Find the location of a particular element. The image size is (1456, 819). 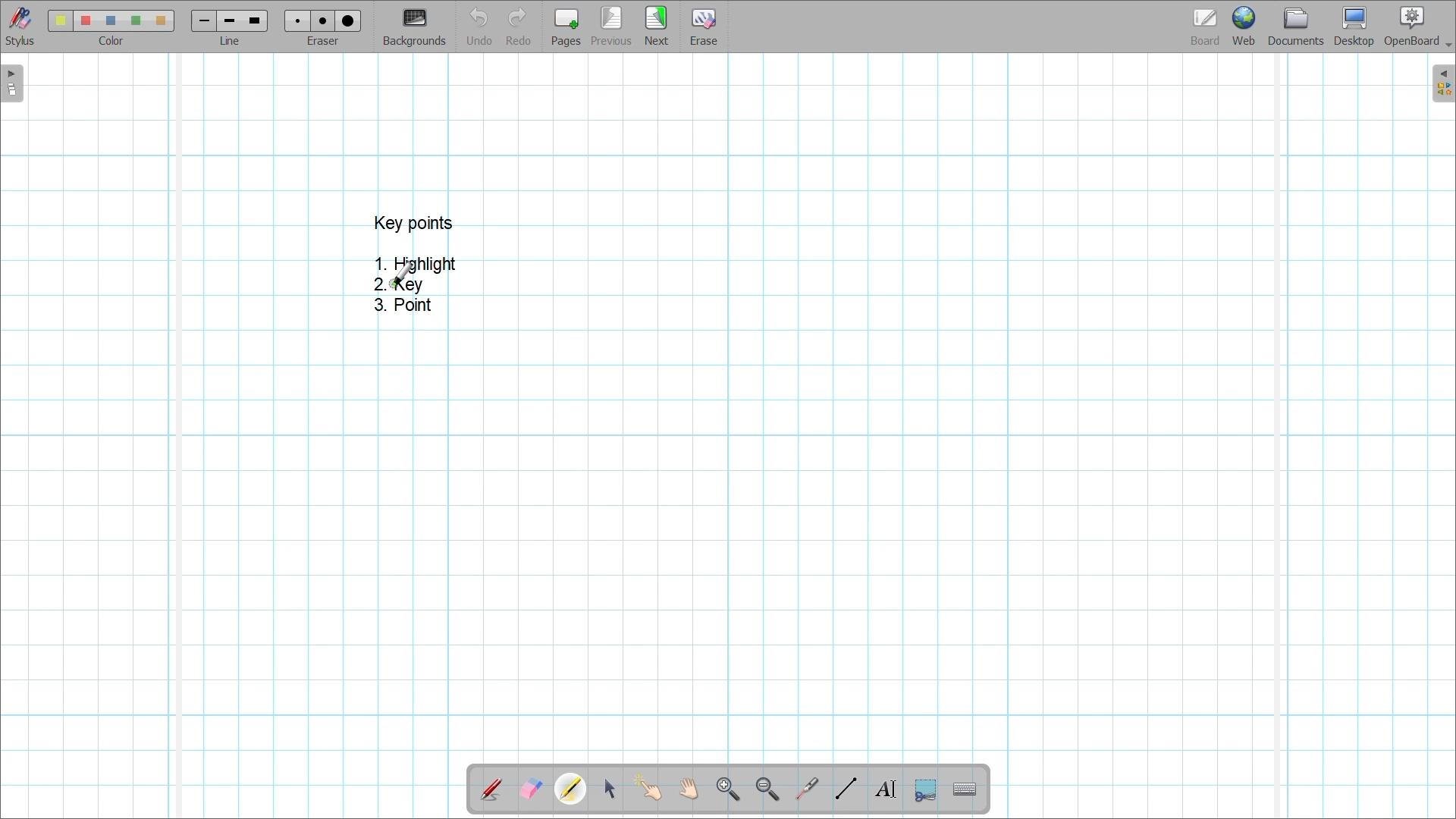

Capture part of the screen is located at coordinates (926, 791).